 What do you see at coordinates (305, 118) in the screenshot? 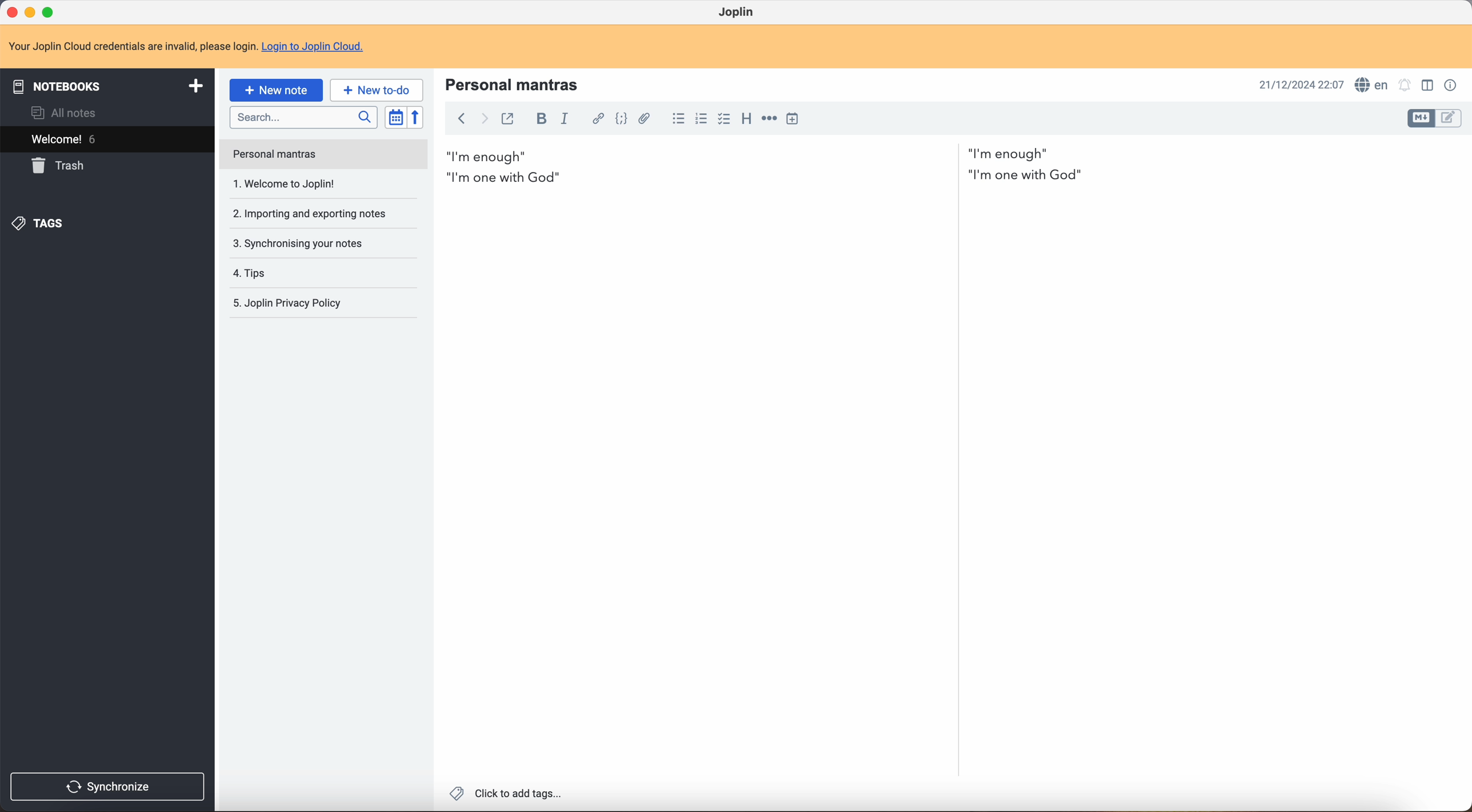
I see `search bar` at bounding box center [305, 118].